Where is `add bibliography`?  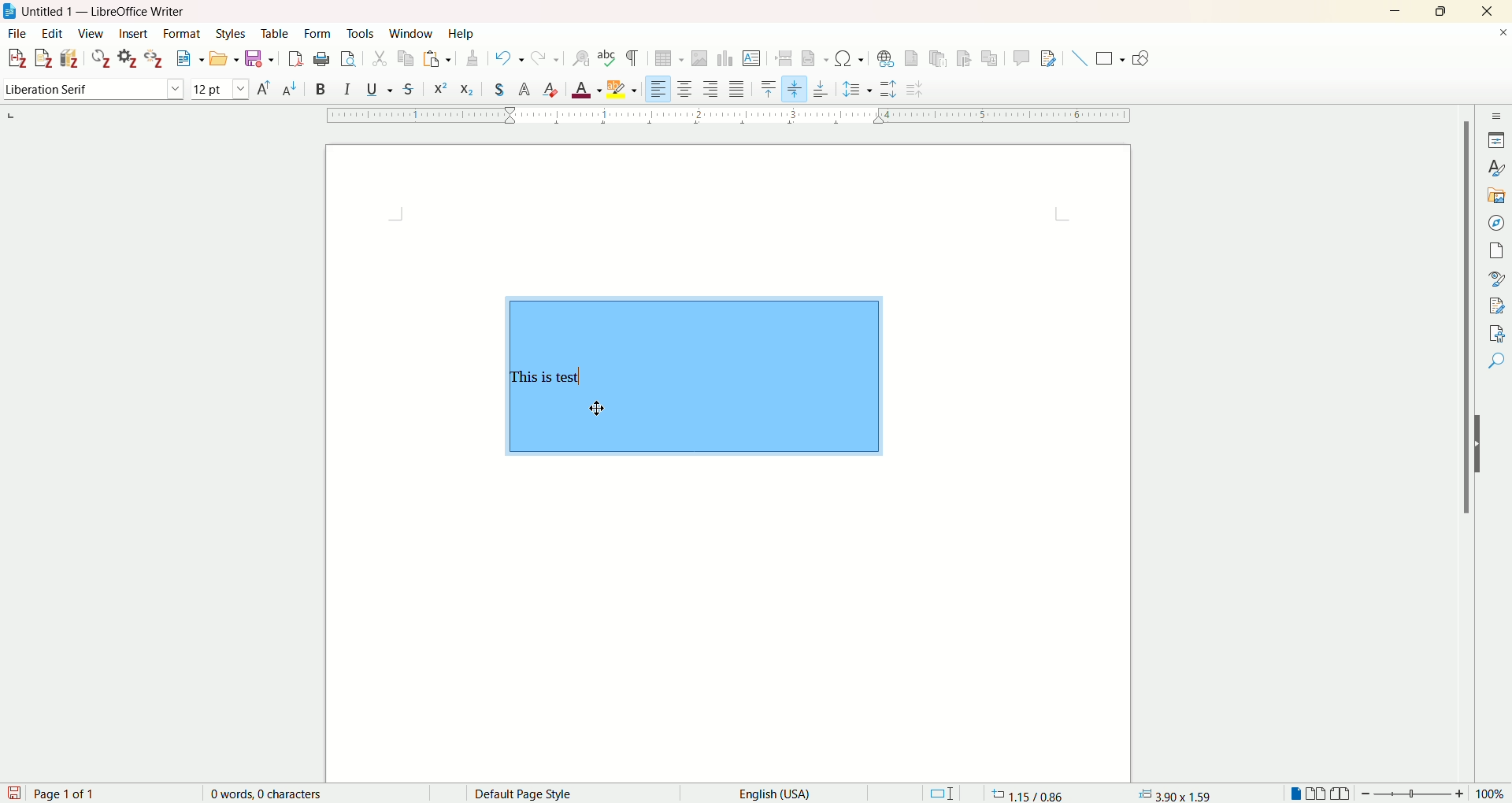
add bibliography is located at coordinates (71, 59).